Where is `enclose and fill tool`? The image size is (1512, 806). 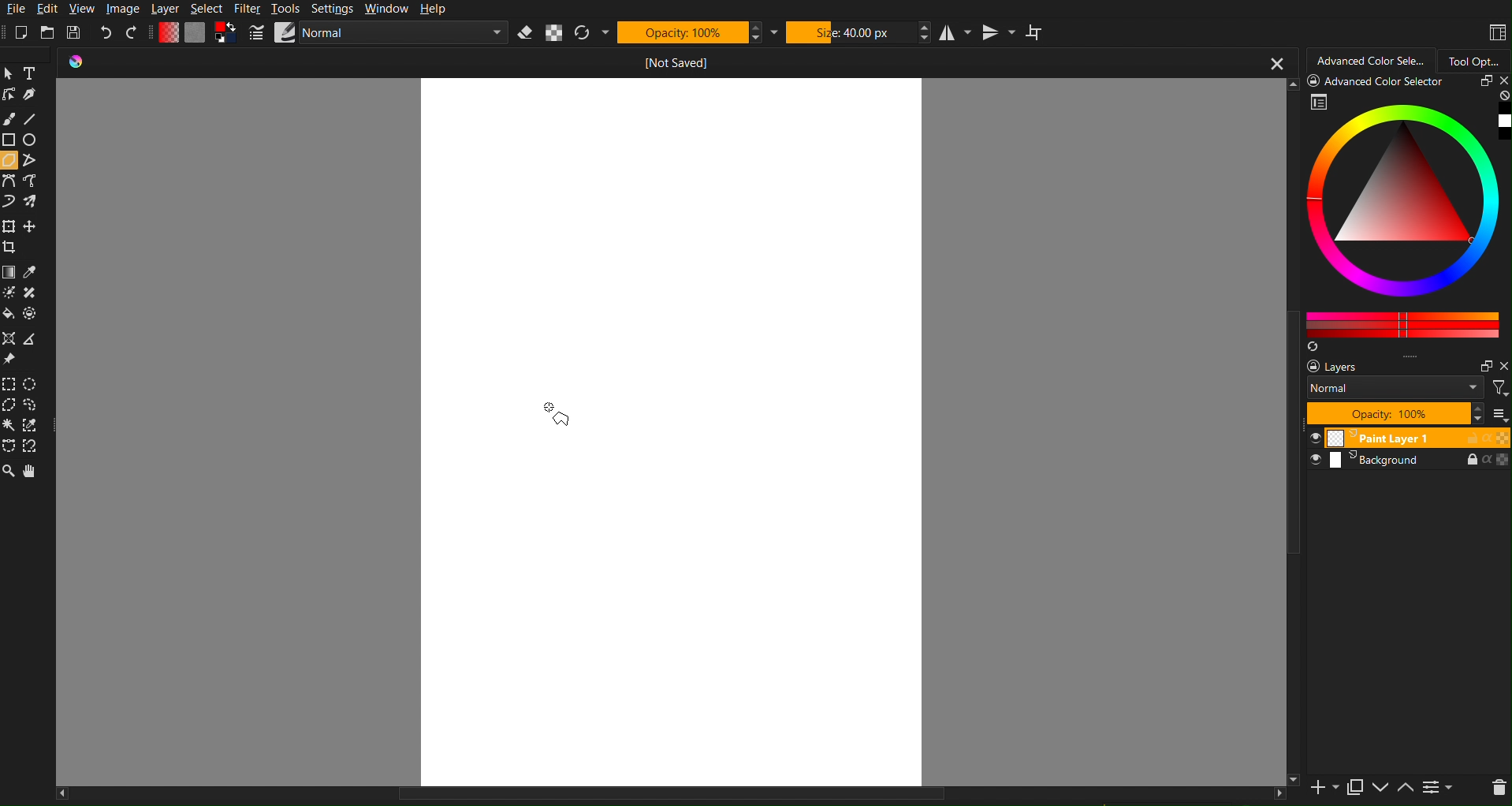 enclose and fill tool is located at coordinates (36, 313).